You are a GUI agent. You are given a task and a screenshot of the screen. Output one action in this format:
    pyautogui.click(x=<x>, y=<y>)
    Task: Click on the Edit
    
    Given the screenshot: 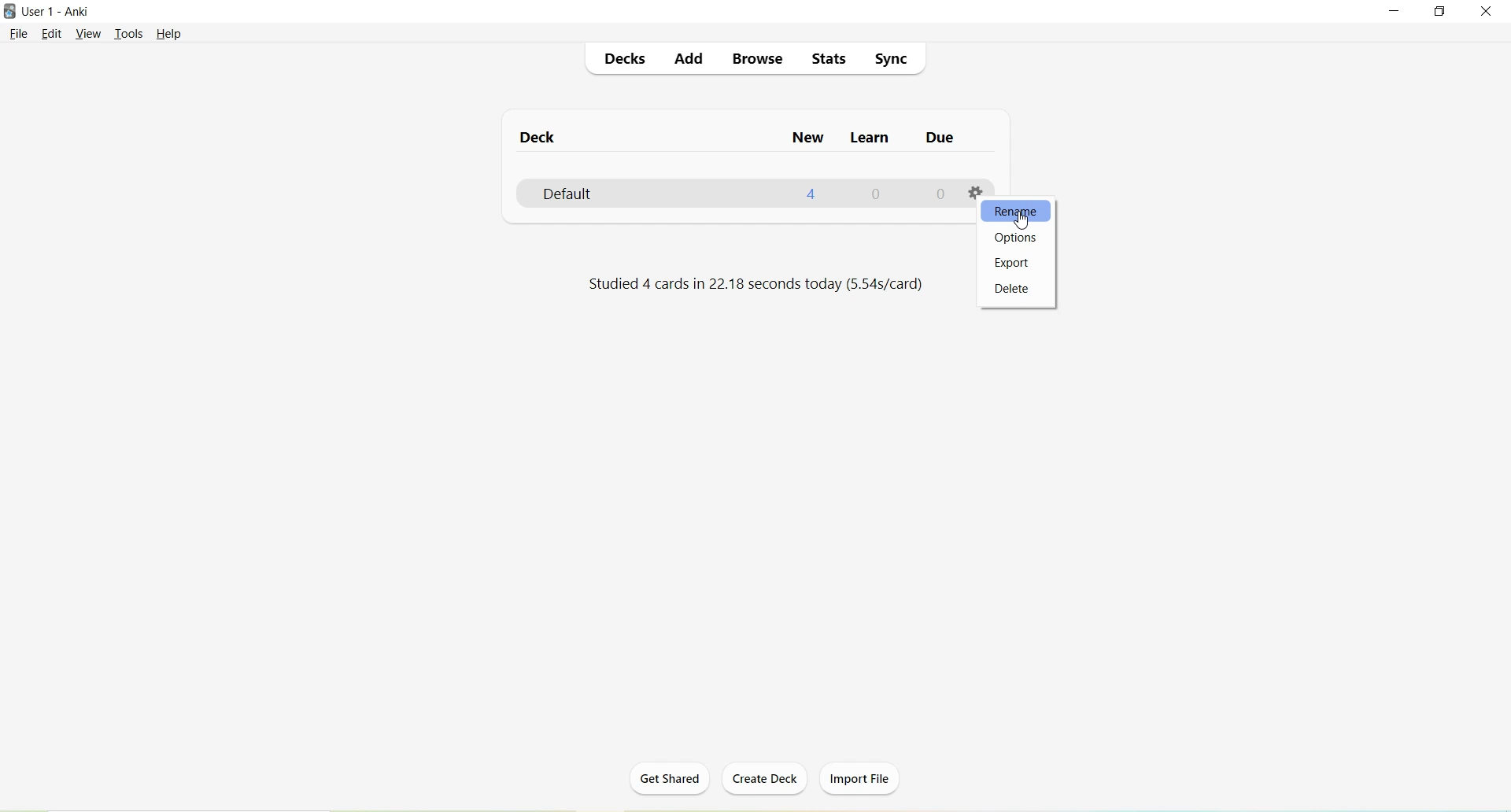 What is the action you would take?
    pyautogui.click(x=51, y=35)
    